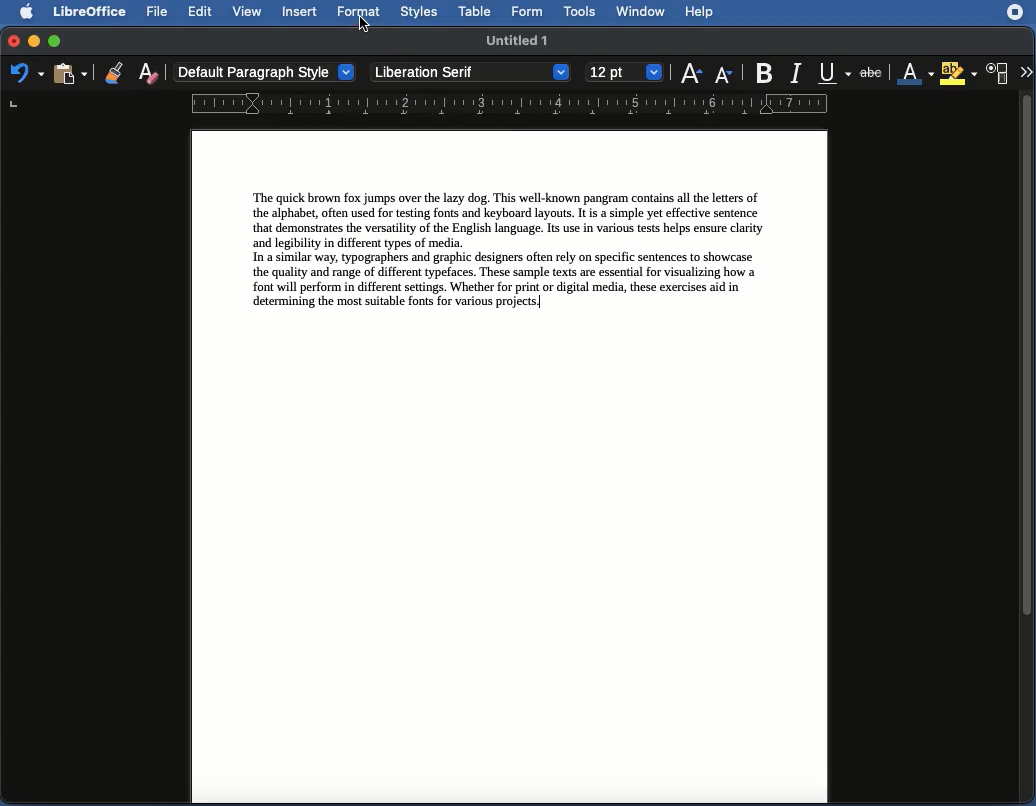  Describe the element at coordinates (21, 11) in the screenshot. I see `Apple logo` at that location.